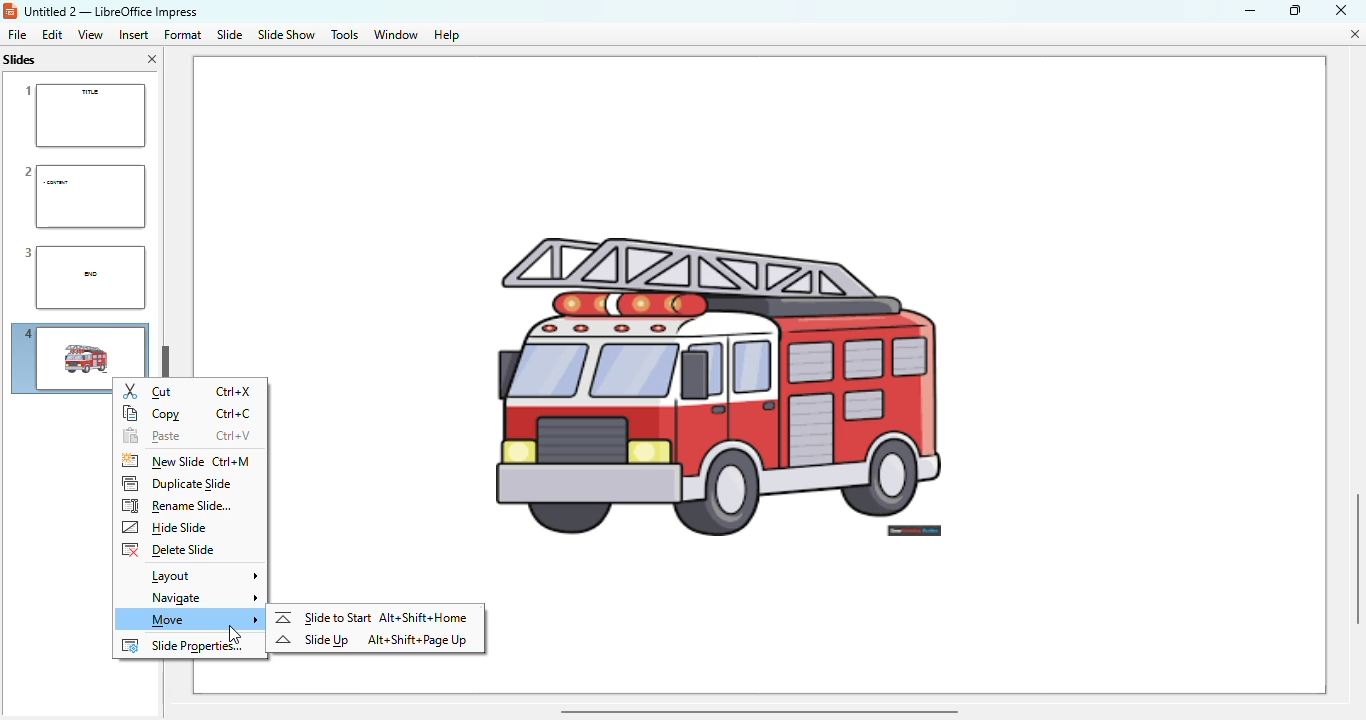 This screenshot has width=1366, height=720. Describe the element at coordinates (22, 59) in the screenshot. I see `slides` at that location.